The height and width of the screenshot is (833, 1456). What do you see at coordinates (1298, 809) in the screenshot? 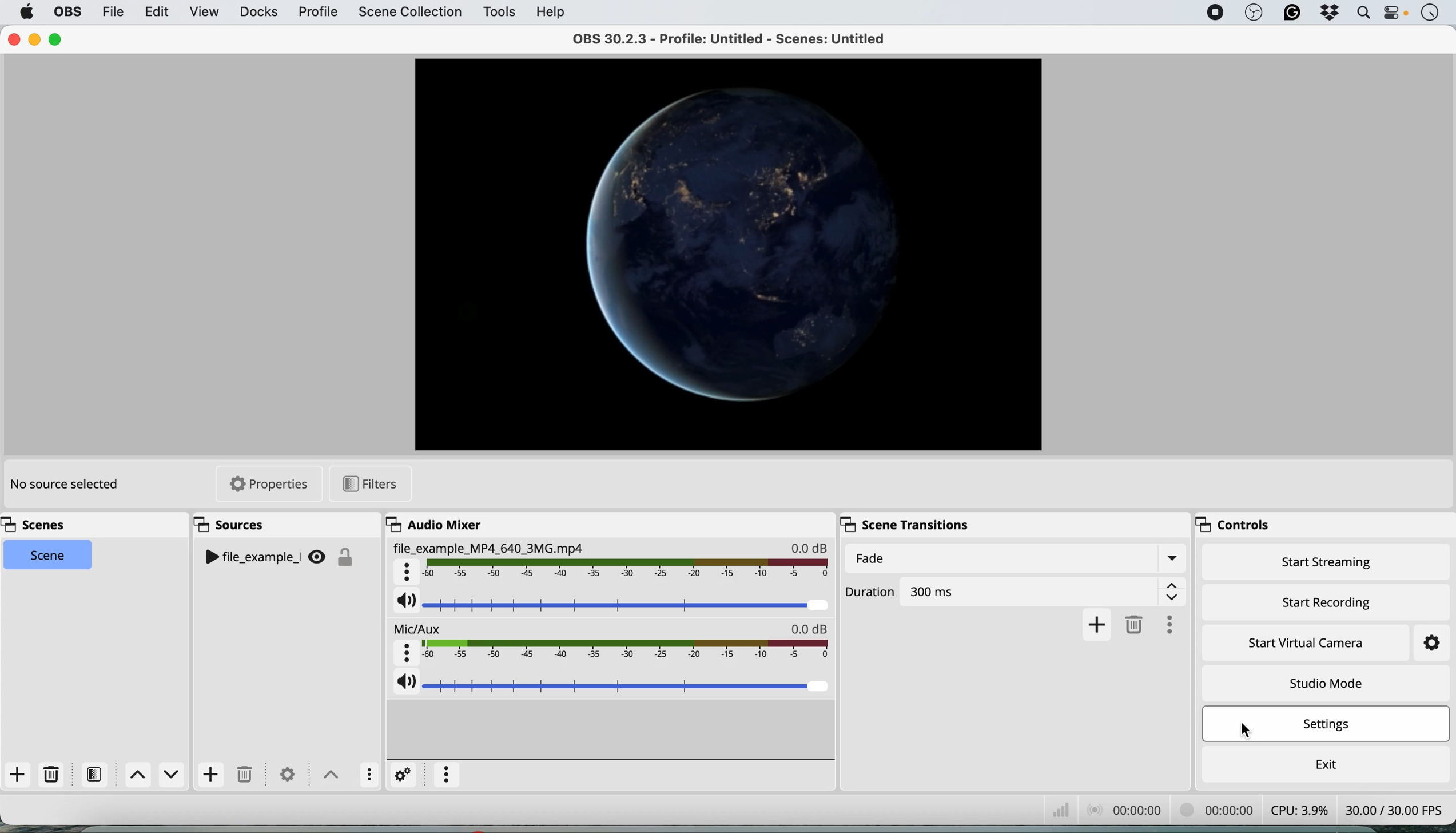
I see `cpu usage` at bounding box center [1298, 809].